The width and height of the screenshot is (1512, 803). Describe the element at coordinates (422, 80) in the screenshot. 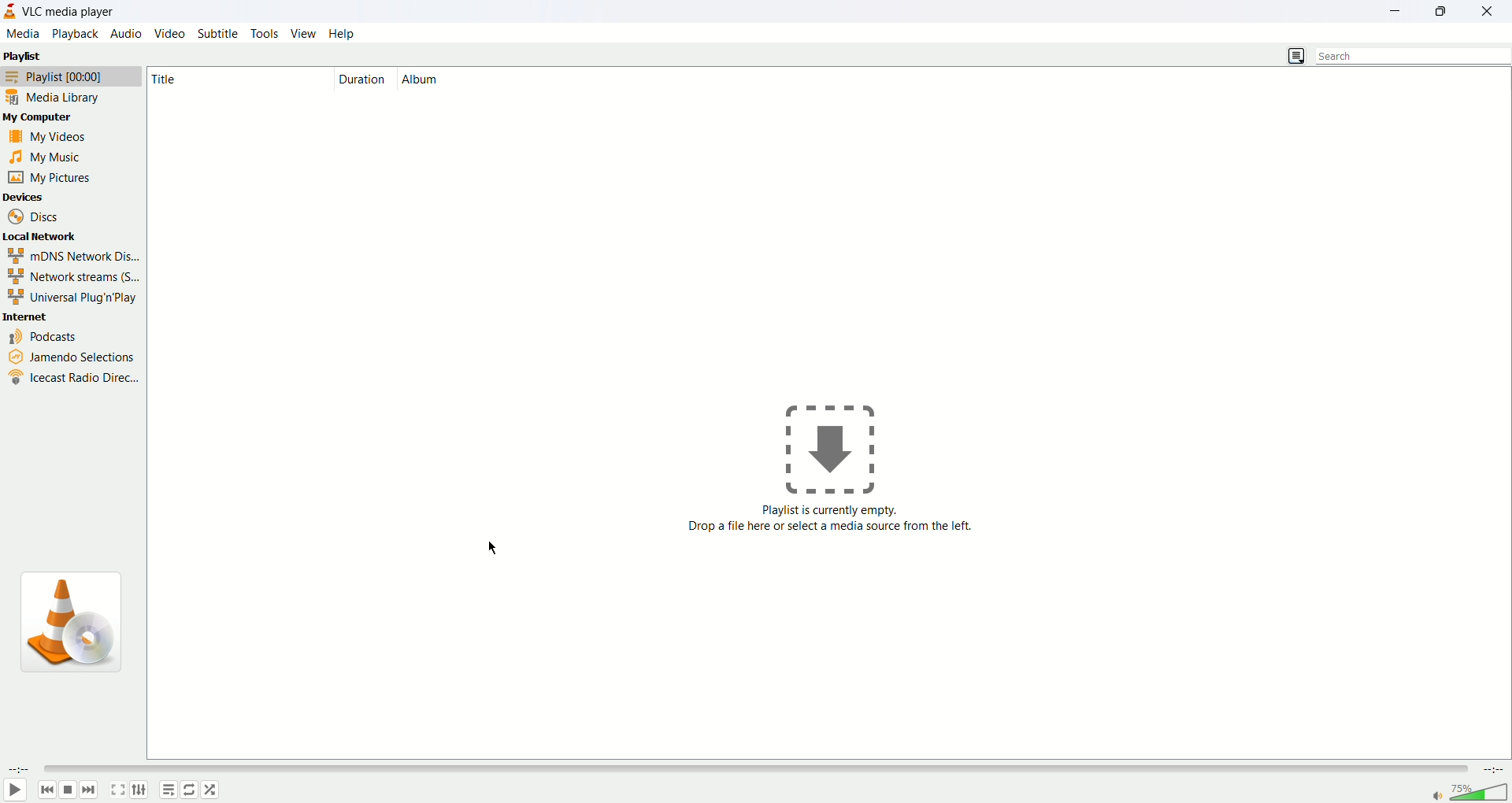

I see `album` at that location.